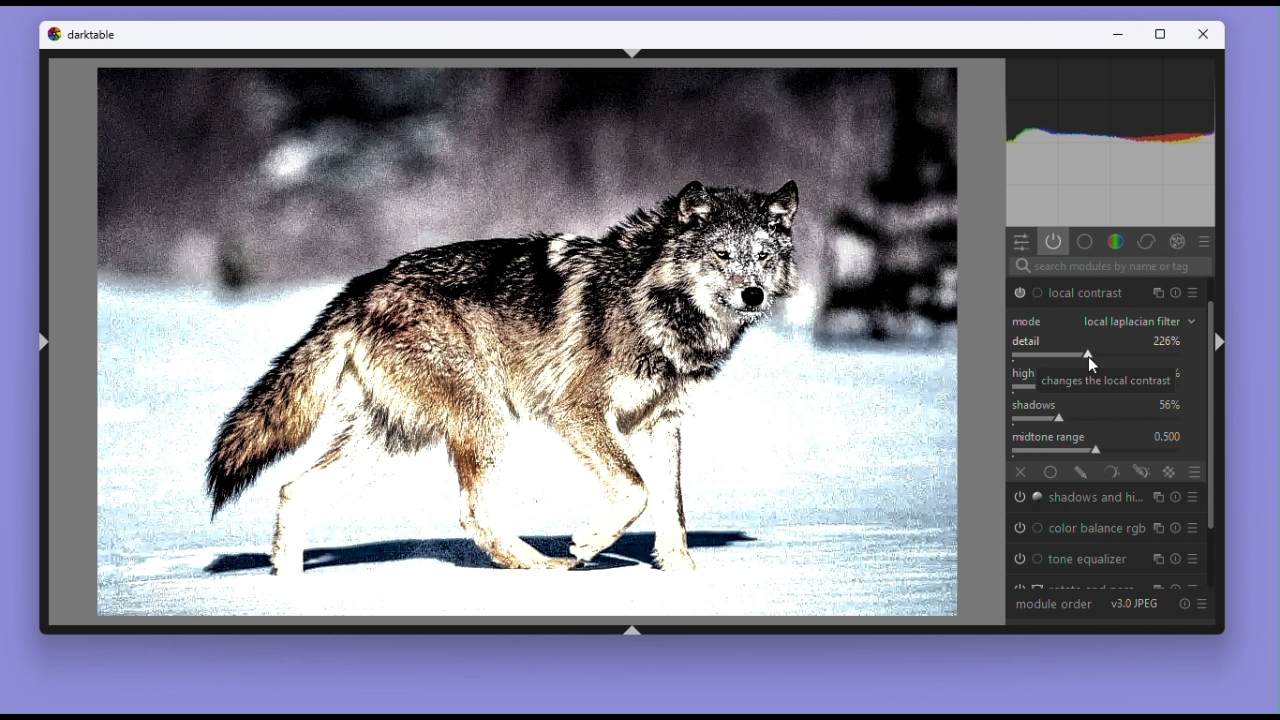  What do you see at coordinates (1091, 366) in the screenshot?
I see `cursor` at bounding box center [1091, 366].